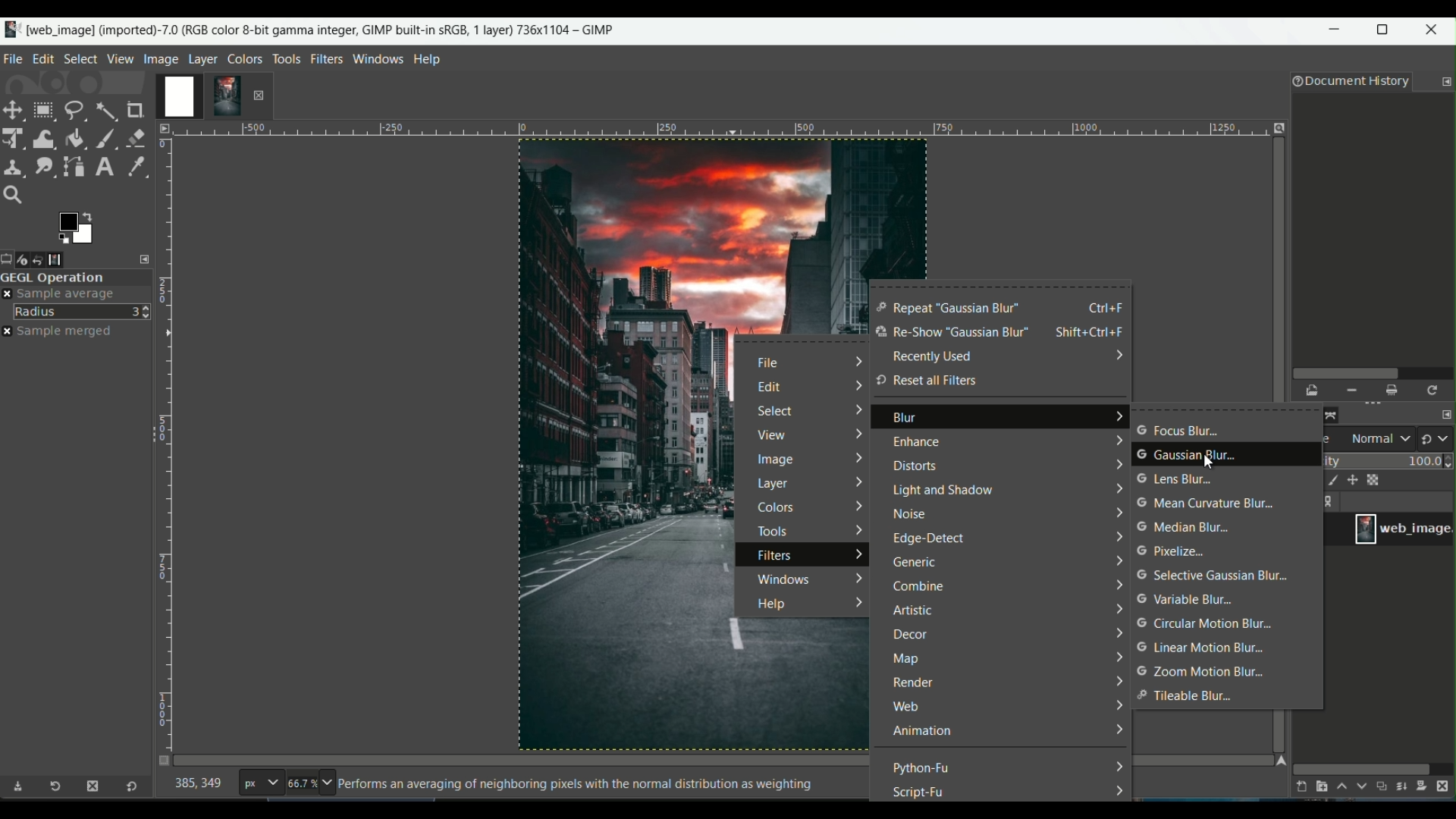 This screenshot has width=1456, height=819. I want to click on image ratio, so click(309, 785).